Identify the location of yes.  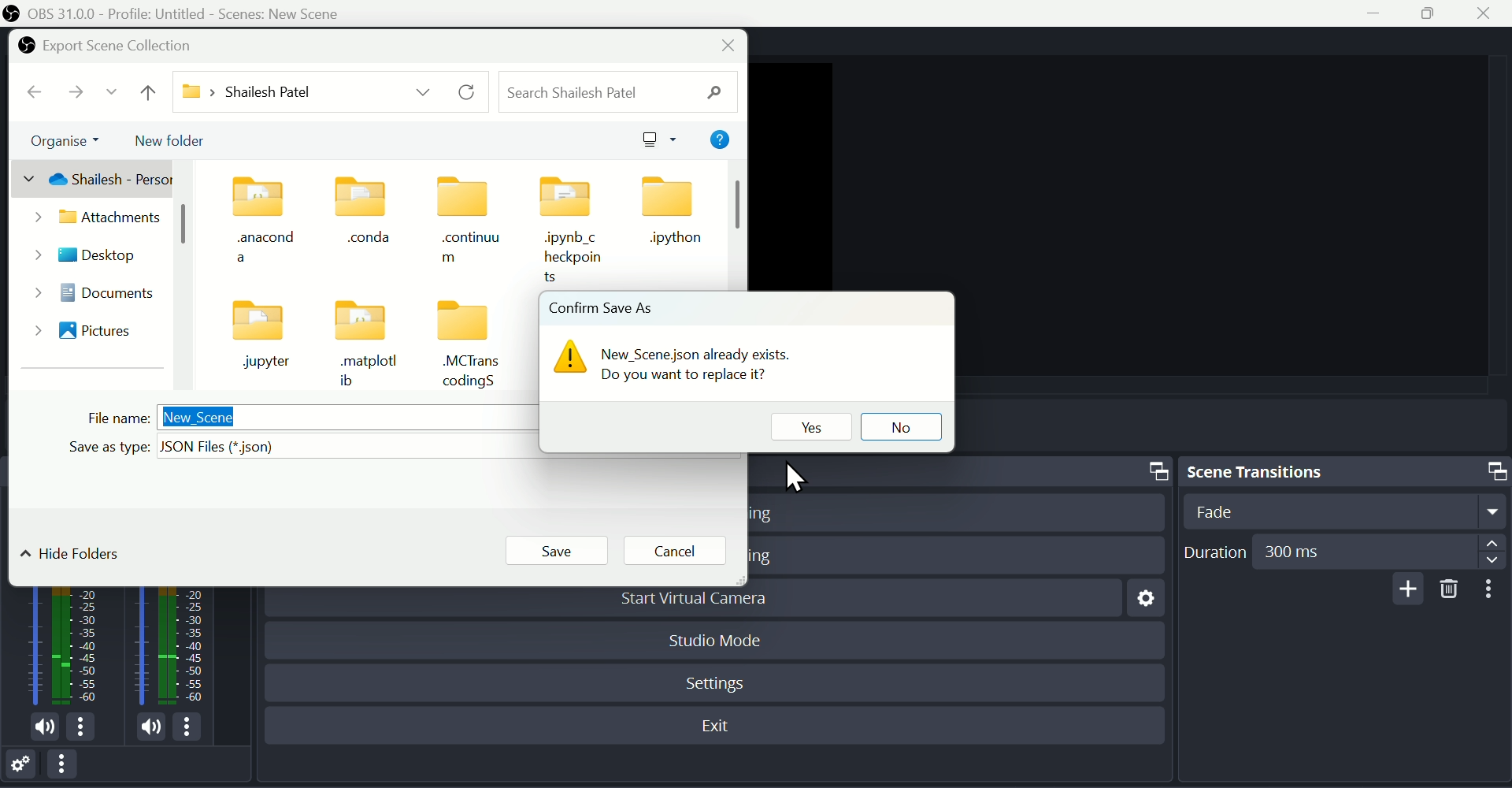
(808, 423).